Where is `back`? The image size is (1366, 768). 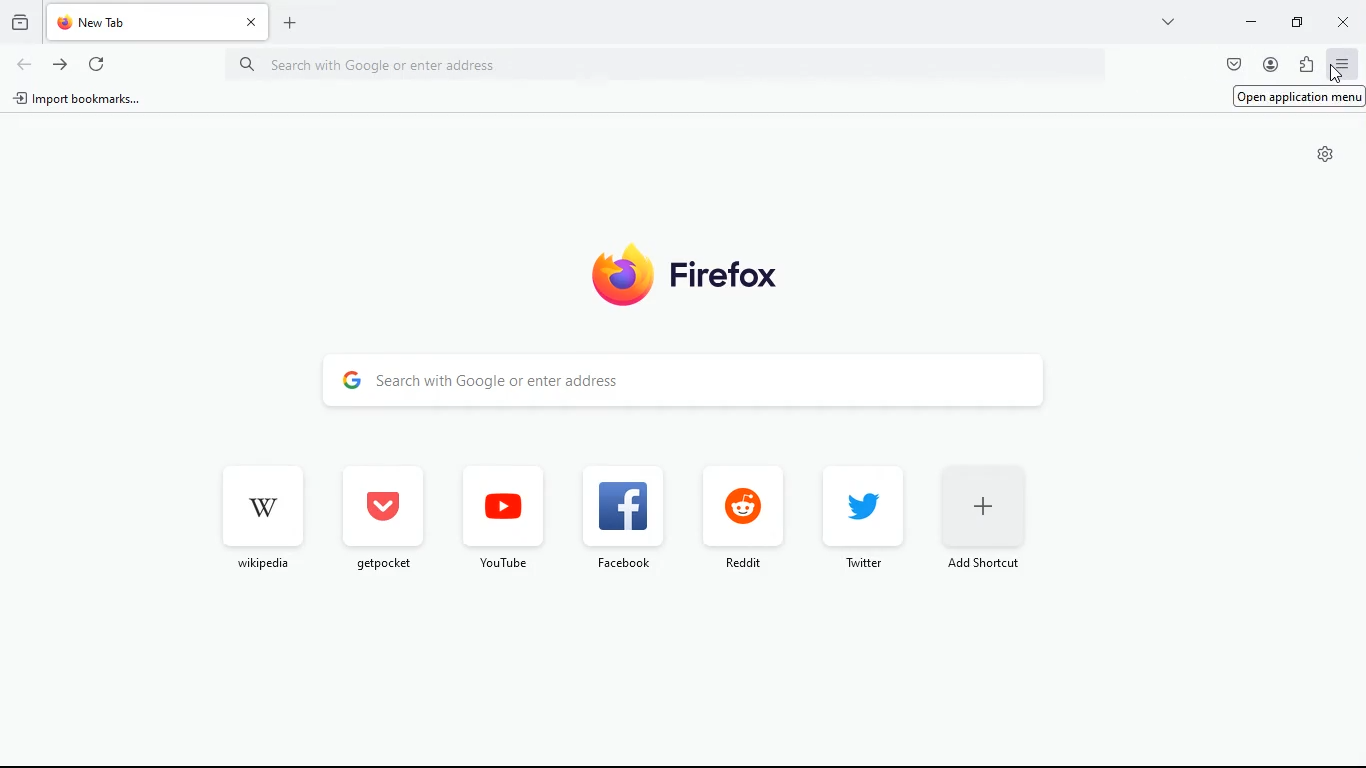 back is located at coordinates (26, 64).